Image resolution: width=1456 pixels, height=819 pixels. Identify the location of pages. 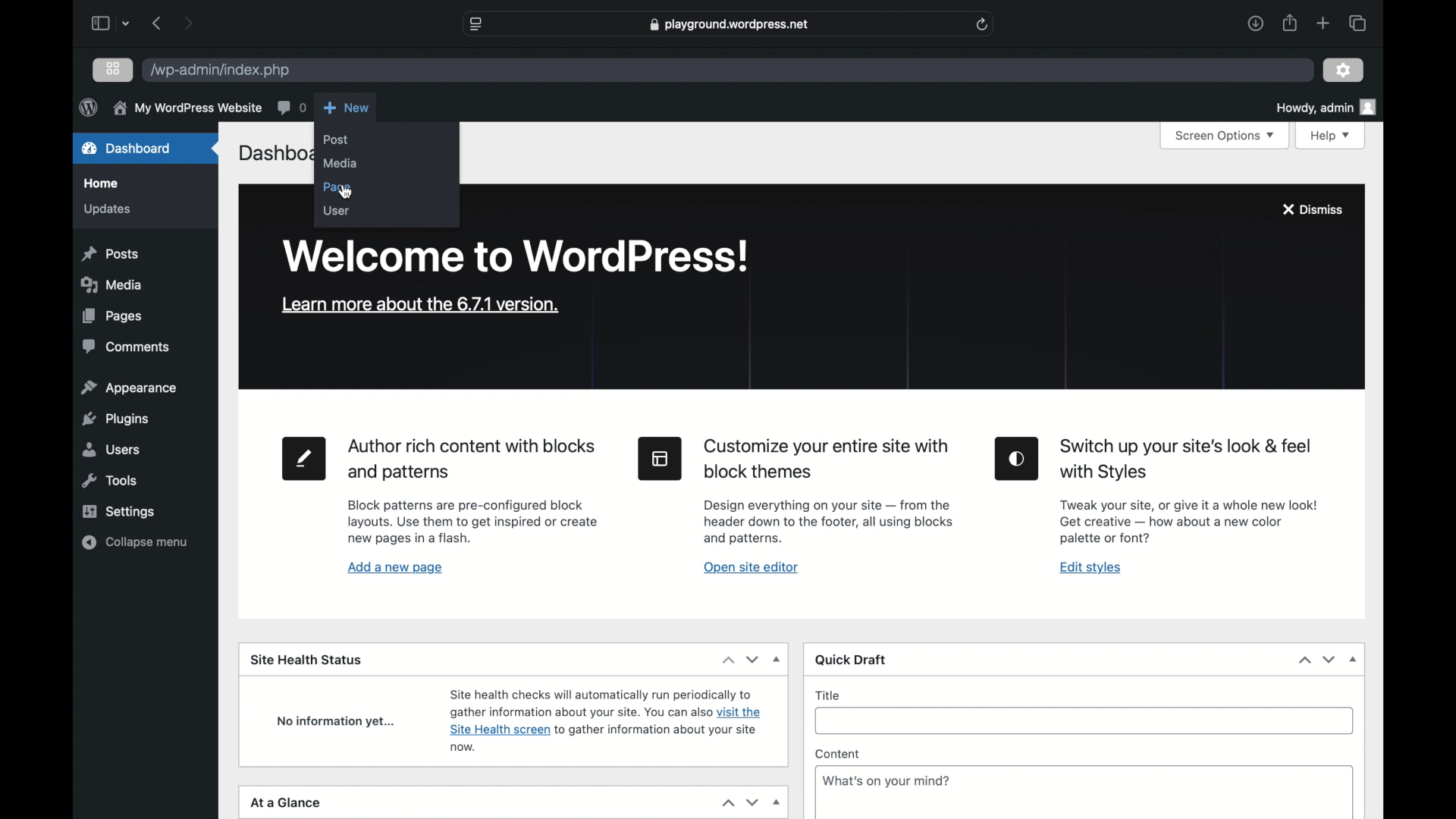
(111, 315).